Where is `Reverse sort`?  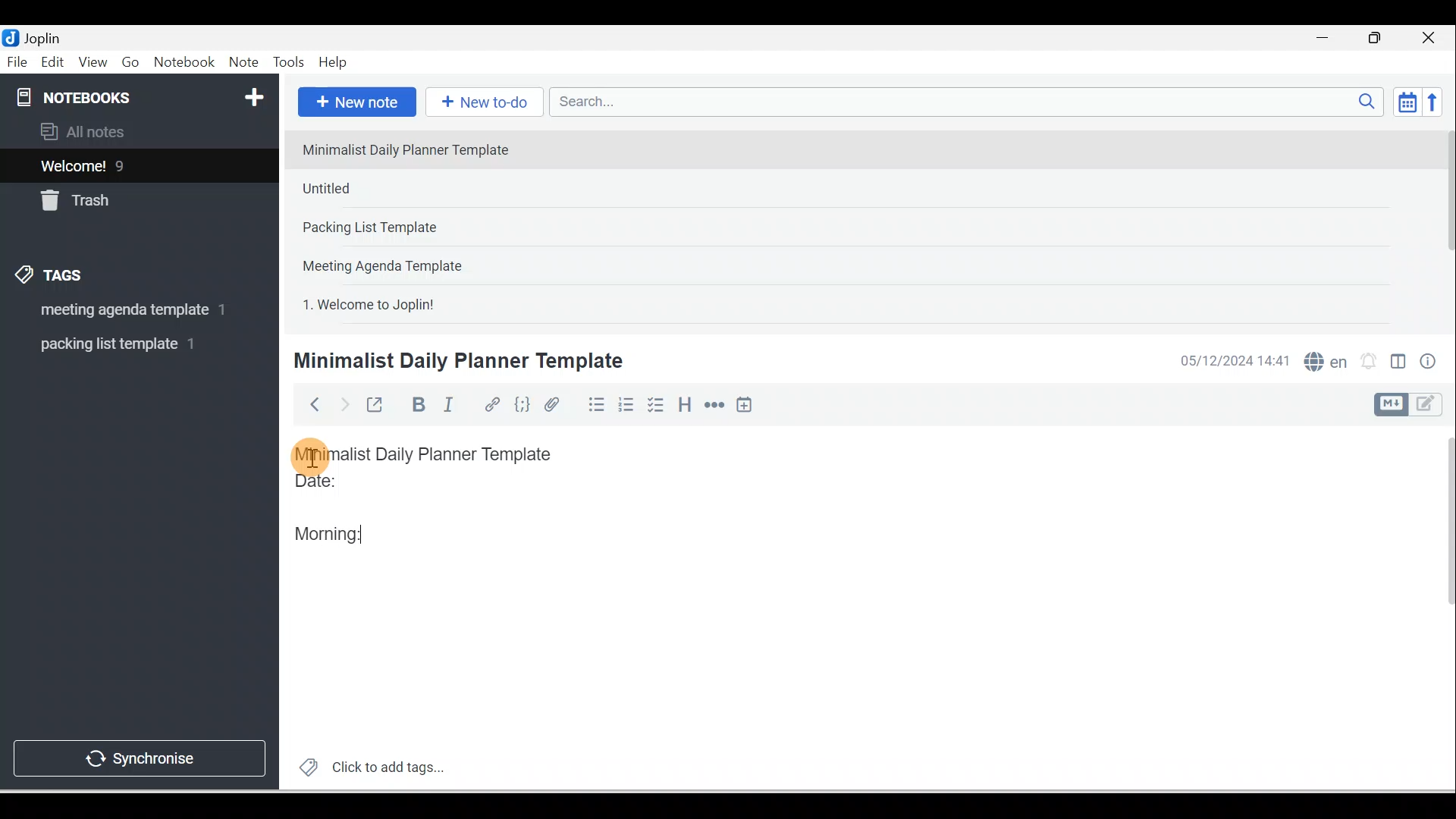 Reverse sort is located at coordinates (1437, 102).